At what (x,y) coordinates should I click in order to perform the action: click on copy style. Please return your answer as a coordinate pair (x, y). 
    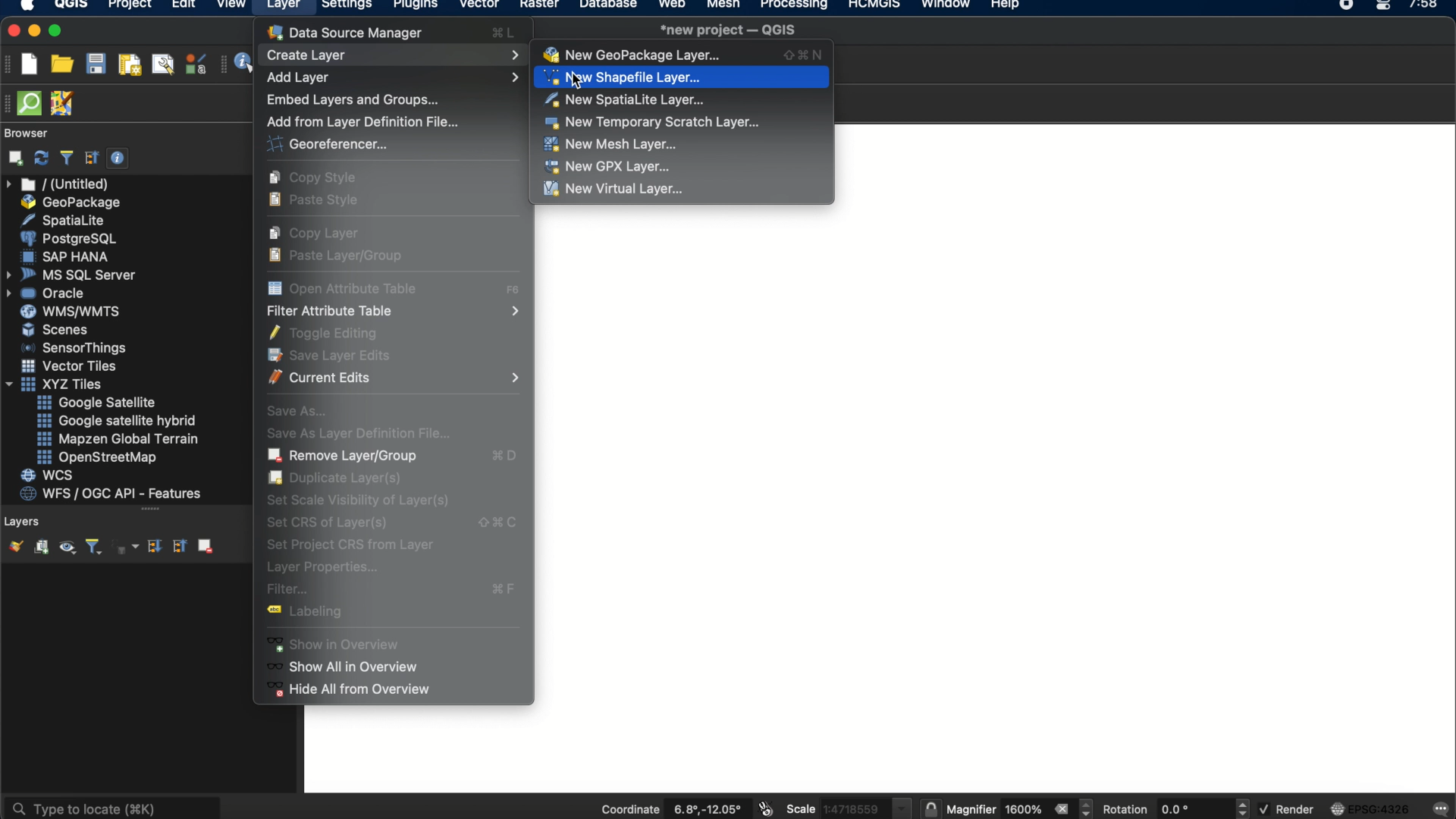
    Looking at the image, I should click on (312, 177).